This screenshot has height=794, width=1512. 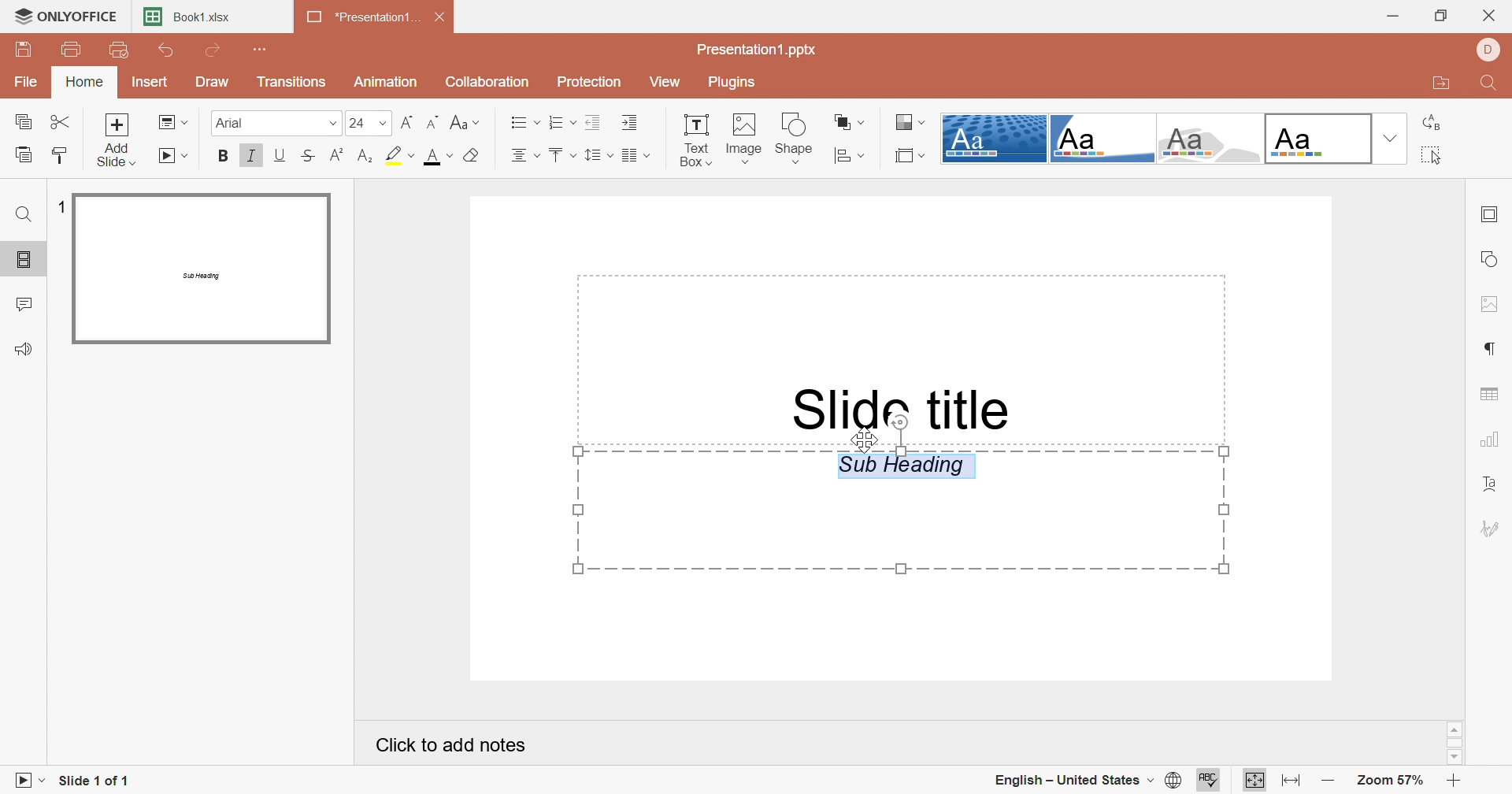 I want to click on Official, so click(x=1317, y=137).